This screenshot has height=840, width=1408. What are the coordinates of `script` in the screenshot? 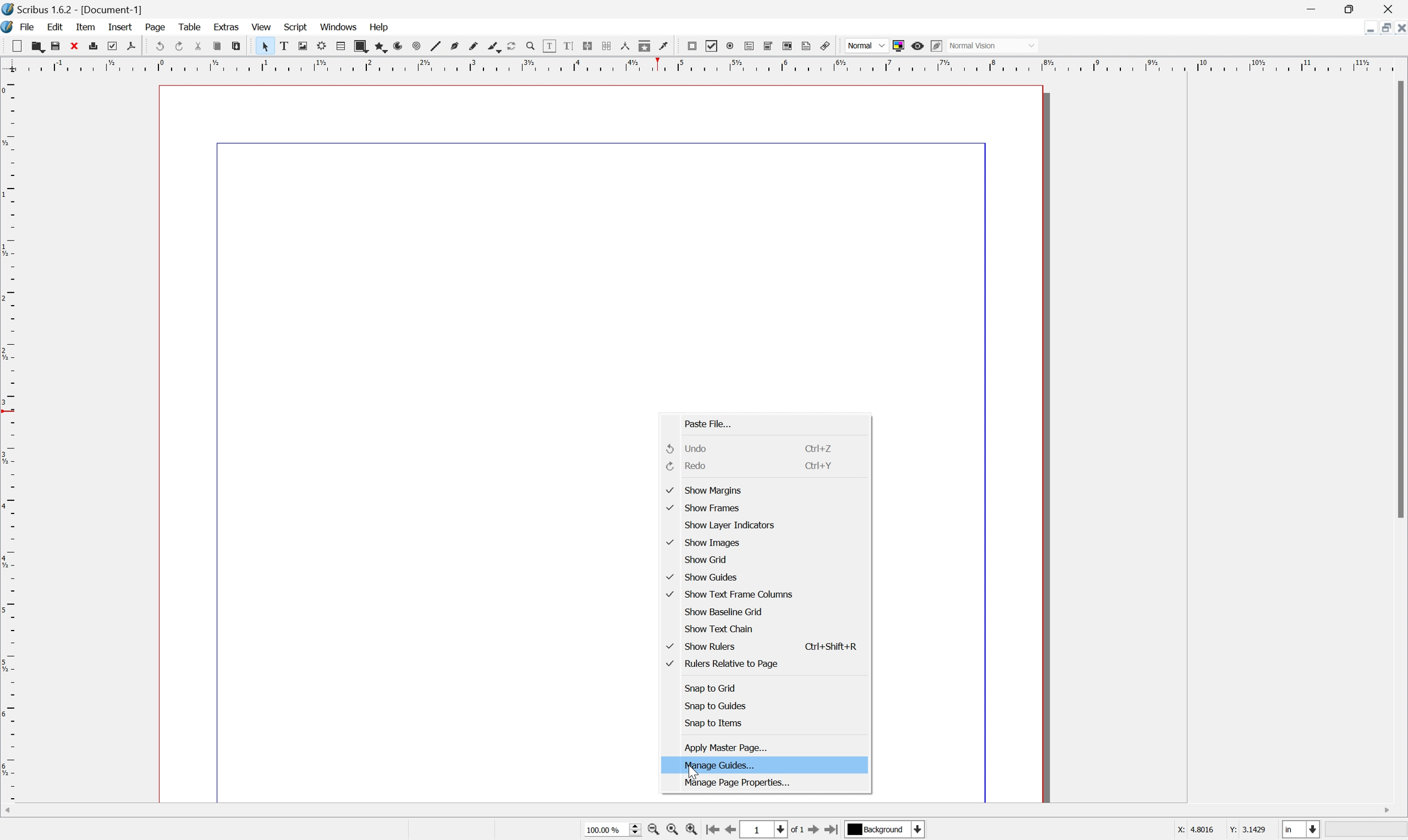 It's located at (296, 27).